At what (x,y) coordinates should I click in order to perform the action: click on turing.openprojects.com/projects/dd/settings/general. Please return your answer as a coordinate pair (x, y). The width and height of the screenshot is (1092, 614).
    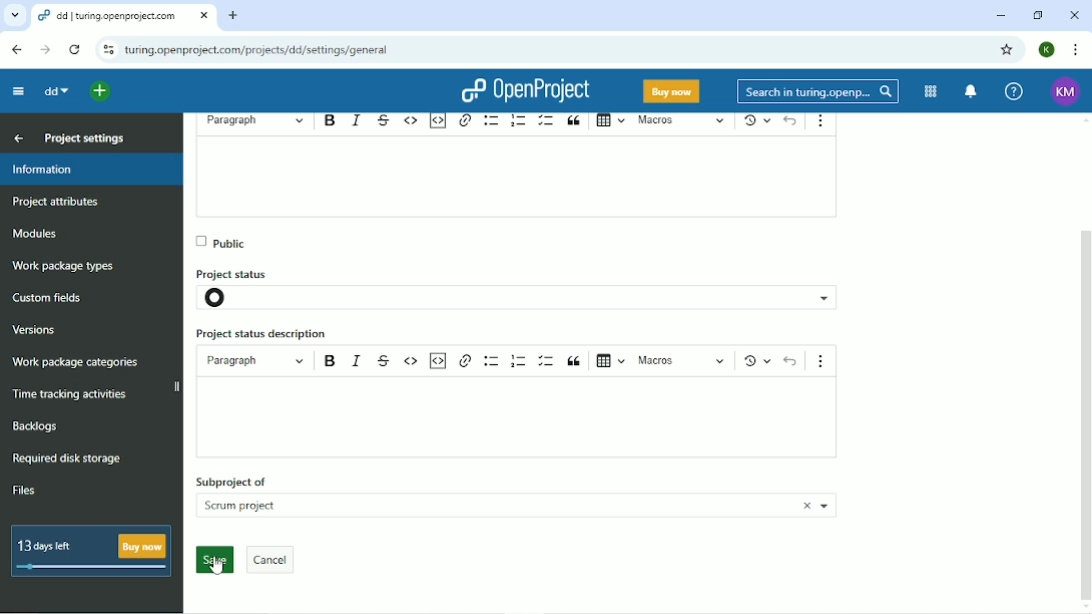
    Looking at the image, I should click on (263, 49).